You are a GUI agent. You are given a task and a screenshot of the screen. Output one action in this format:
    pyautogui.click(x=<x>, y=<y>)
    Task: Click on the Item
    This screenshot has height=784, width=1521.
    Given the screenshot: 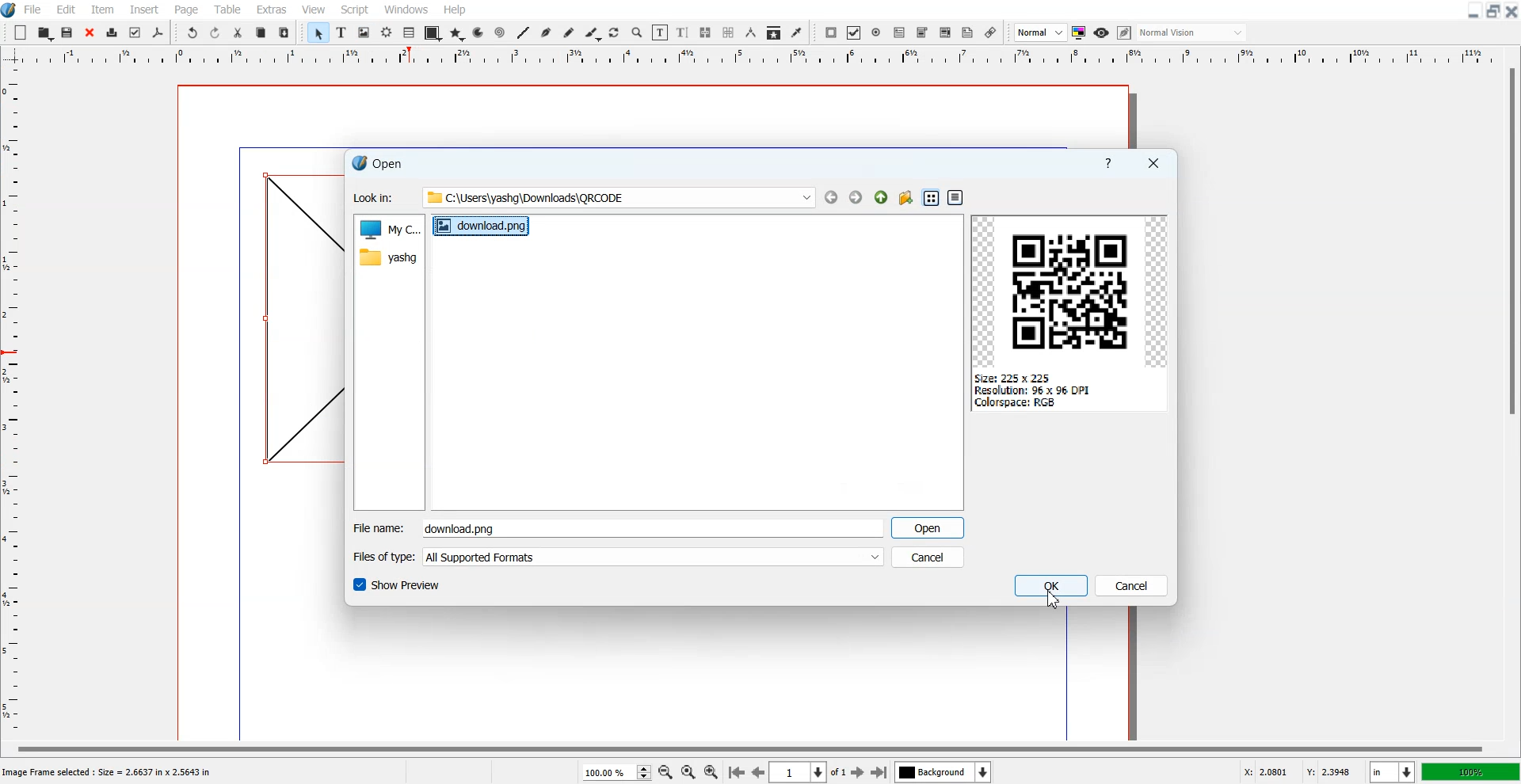 What is the action you would take?
    pyautogui.click(x=102, y=9)
    